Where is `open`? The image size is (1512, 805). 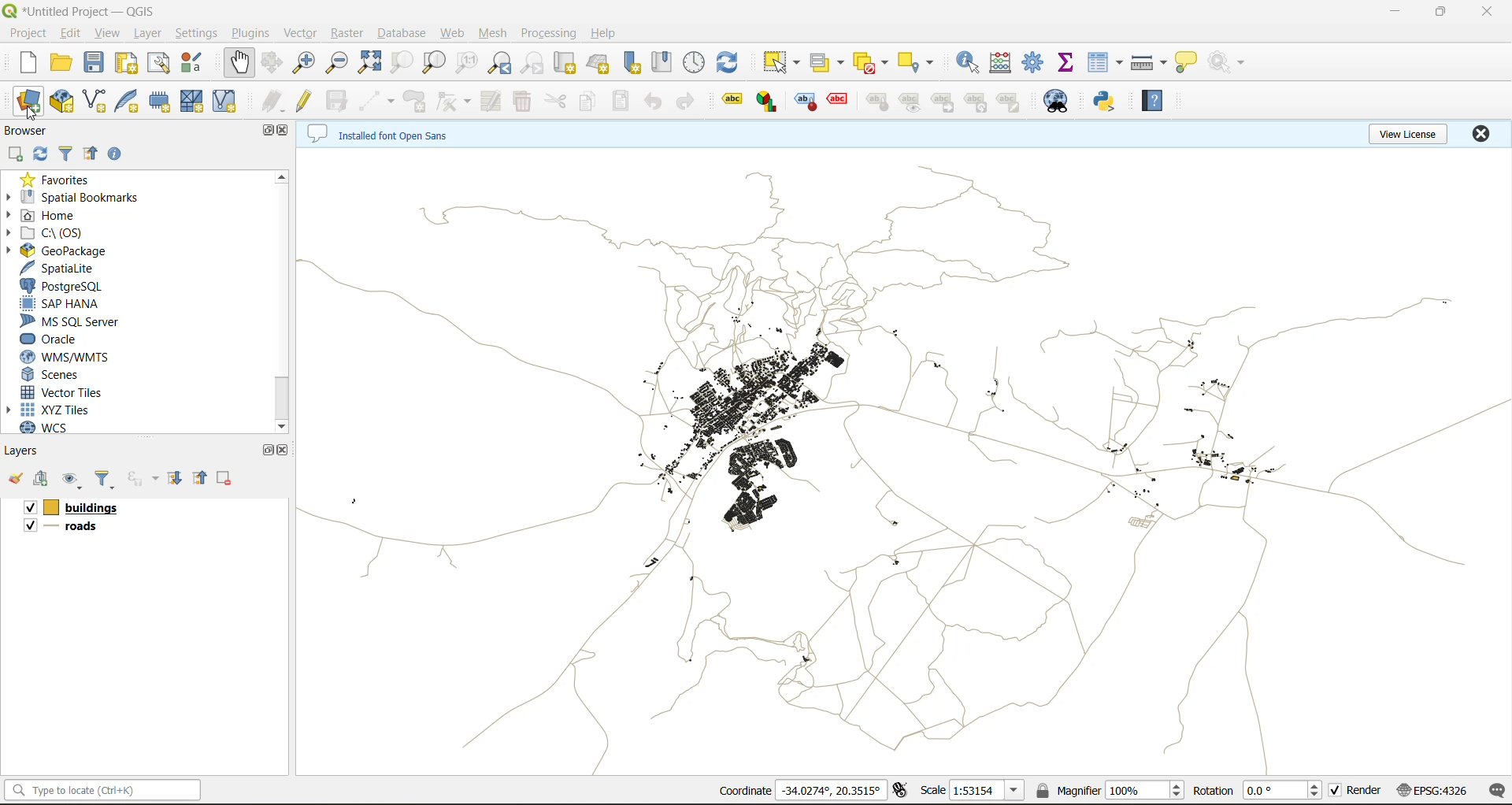
open is located at coordinates (61, 63).